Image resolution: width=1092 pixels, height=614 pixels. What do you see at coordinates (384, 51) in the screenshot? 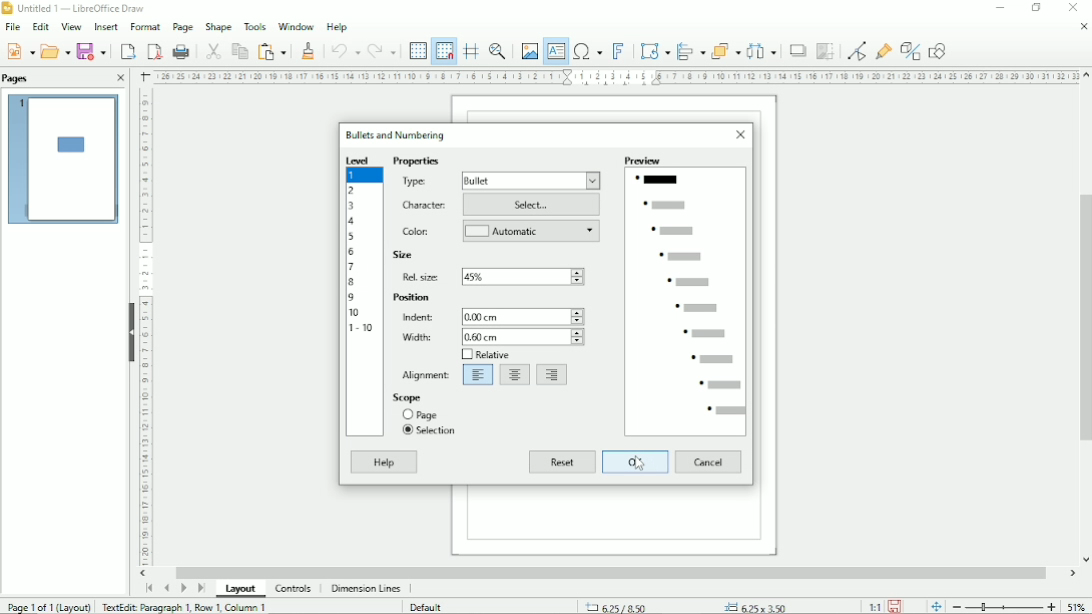
I see `Redo` at bounding box center [384, 51].